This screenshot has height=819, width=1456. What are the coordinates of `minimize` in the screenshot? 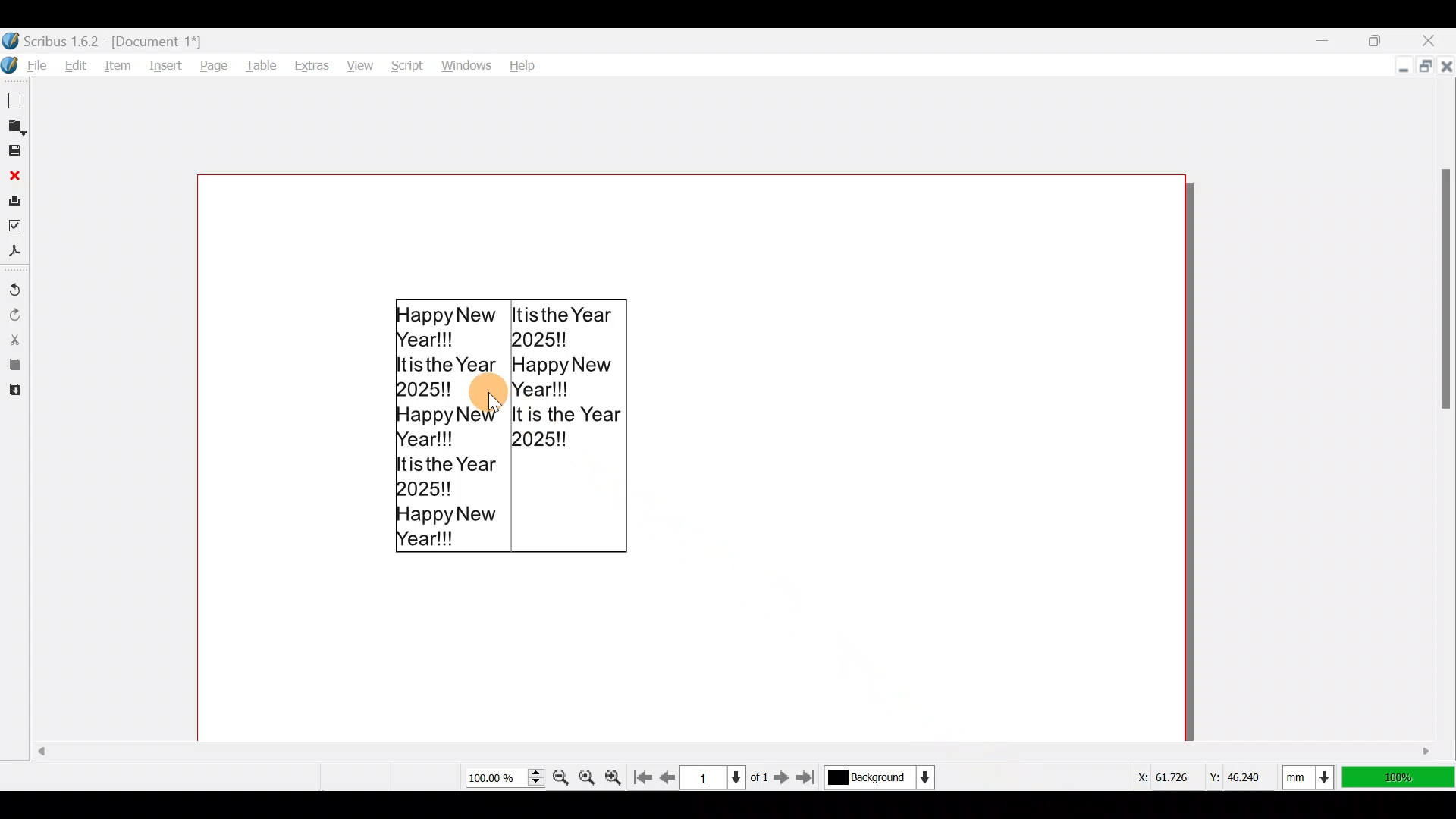 It's located at (1398, 67).